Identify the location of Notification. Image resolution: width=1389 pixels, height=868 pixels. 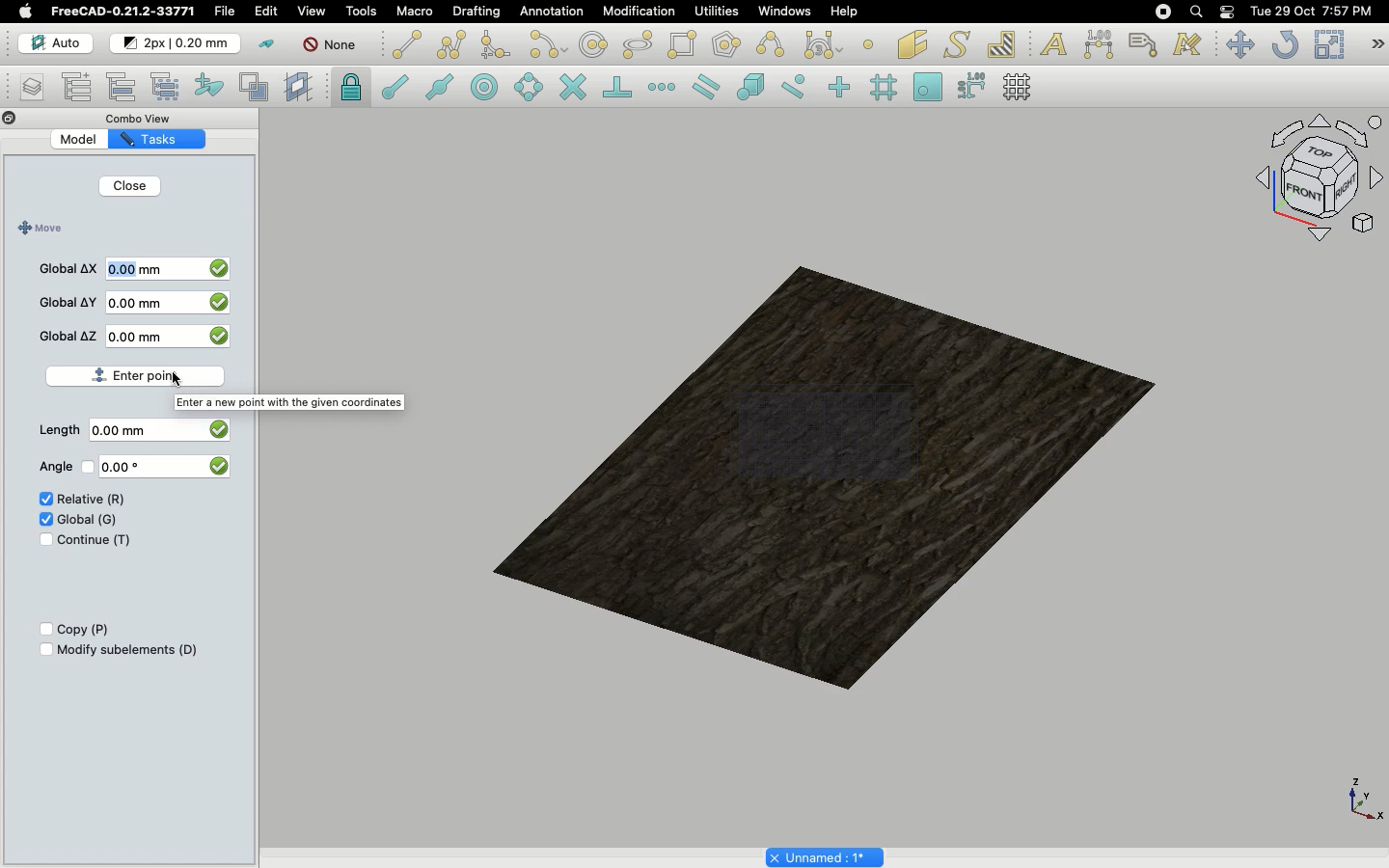
(1229, 11).